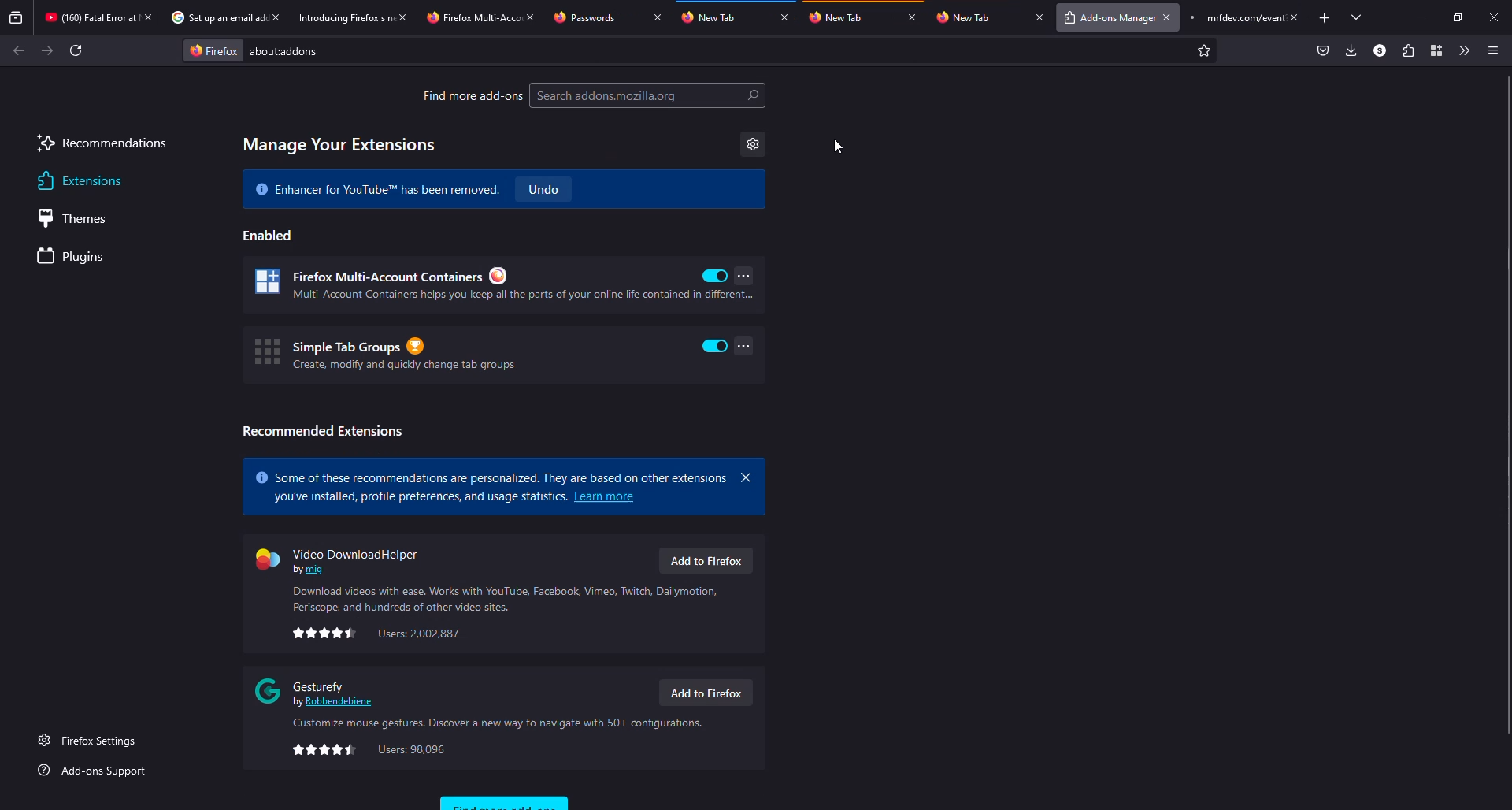 The image size is (1512, 810). I want to click on tab, so click(726, 17).